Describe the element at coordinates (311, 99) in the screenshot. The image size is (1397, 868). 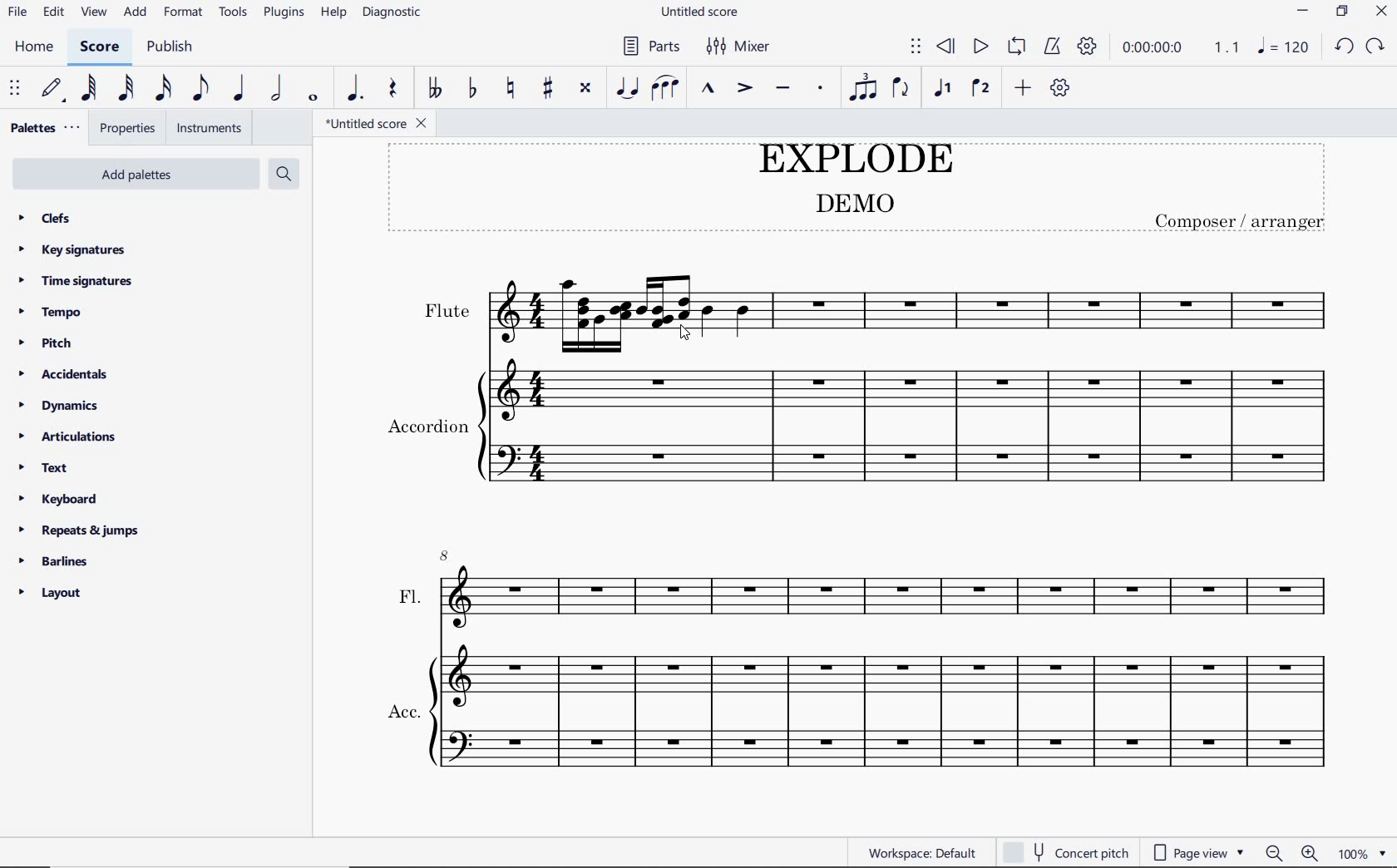
I see `whole note` at that location.